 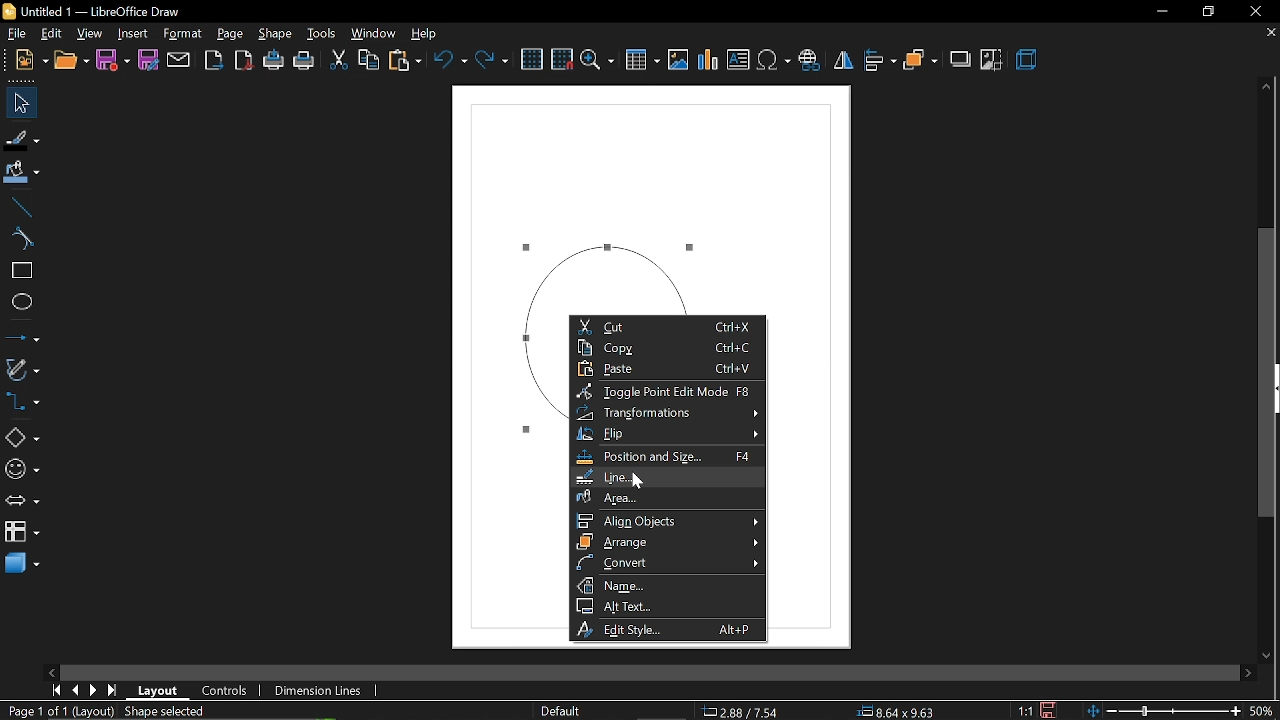 What do you see at coordinates (57, 691) in the screenshot?
I see `go to first page` at bounding box center [57, 691].